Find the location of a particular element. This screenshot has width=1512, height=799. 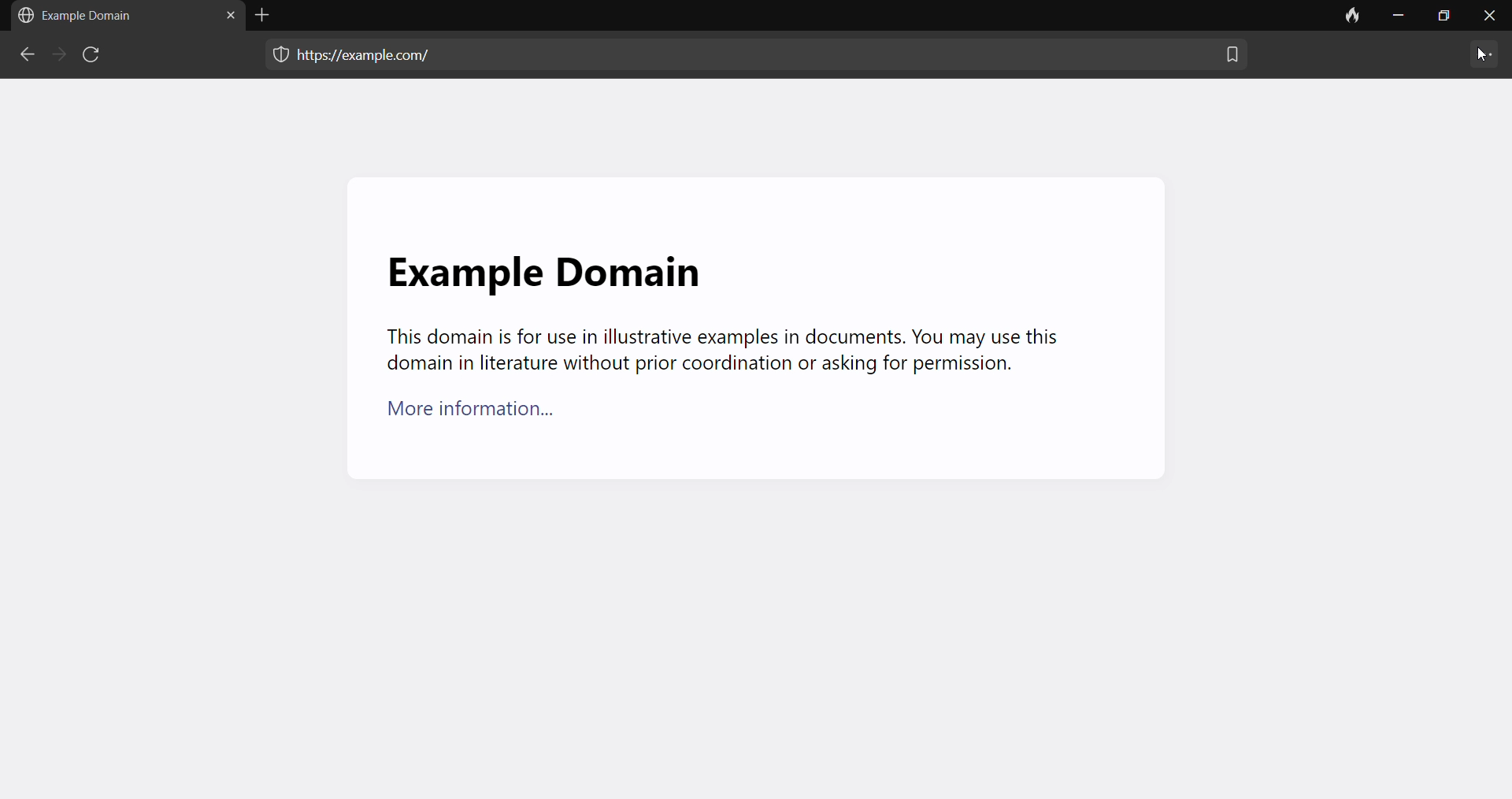

forward is located at coordinates (56, 55).